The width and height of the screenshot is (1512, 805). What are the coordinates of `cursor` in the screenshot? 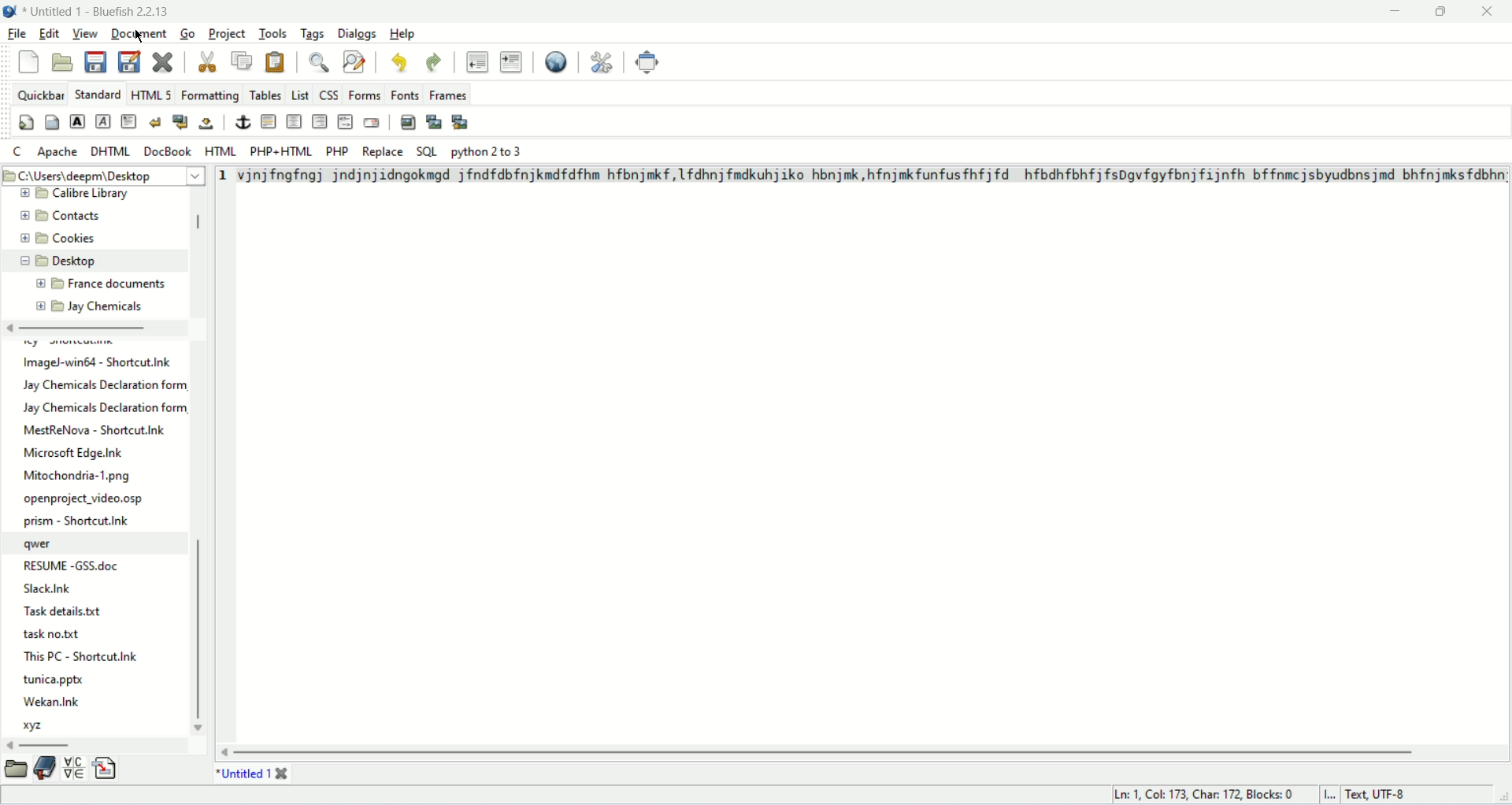 It's located at (139, 40).